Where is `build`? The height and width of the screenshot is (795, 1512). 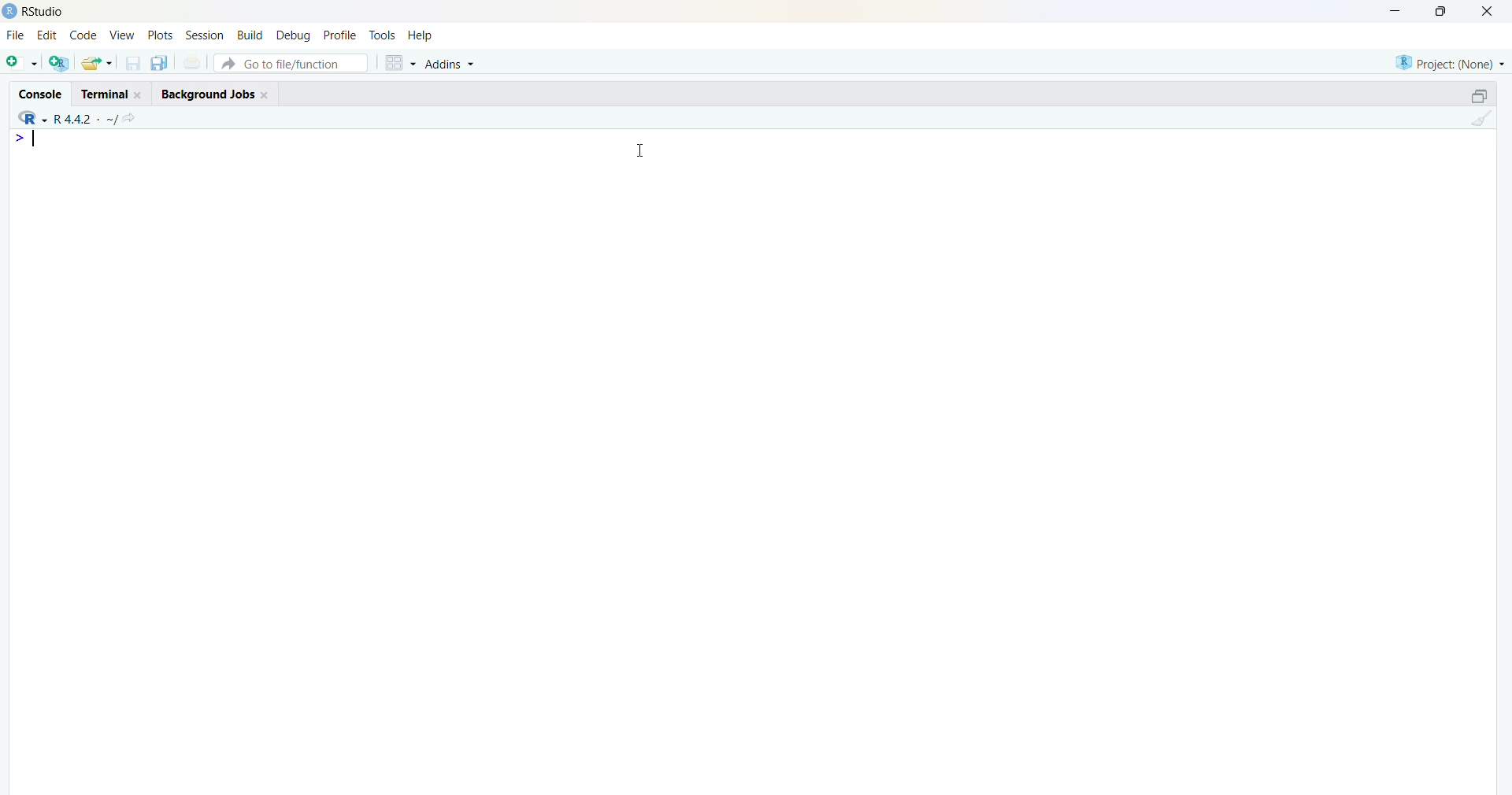
build is located at coordinates (249, 35).